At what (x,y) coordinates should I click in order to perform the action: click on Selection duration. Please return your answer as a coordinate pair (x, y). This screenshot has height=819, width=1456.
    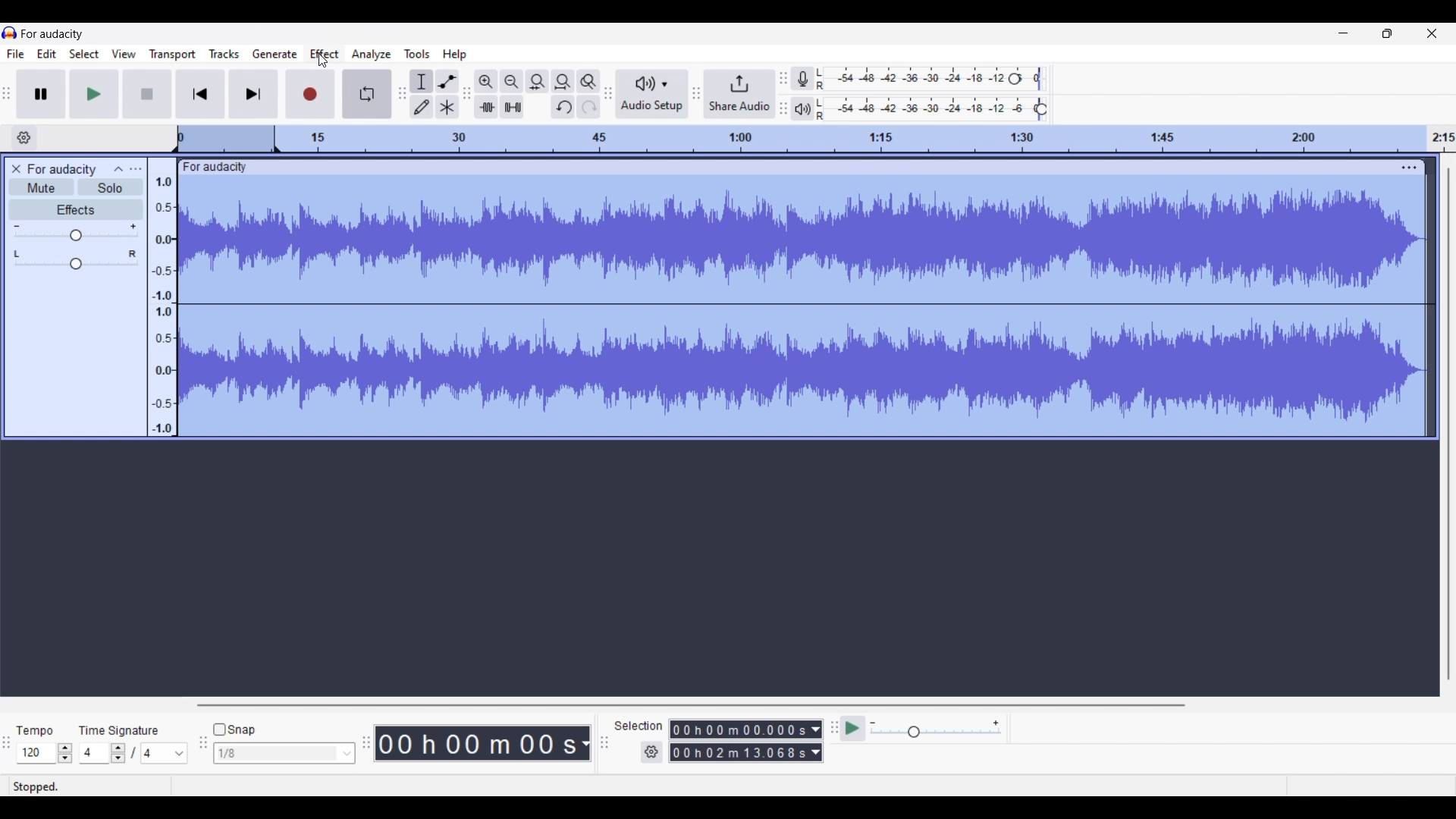
    Looking at the image, I should click on (739, 742).